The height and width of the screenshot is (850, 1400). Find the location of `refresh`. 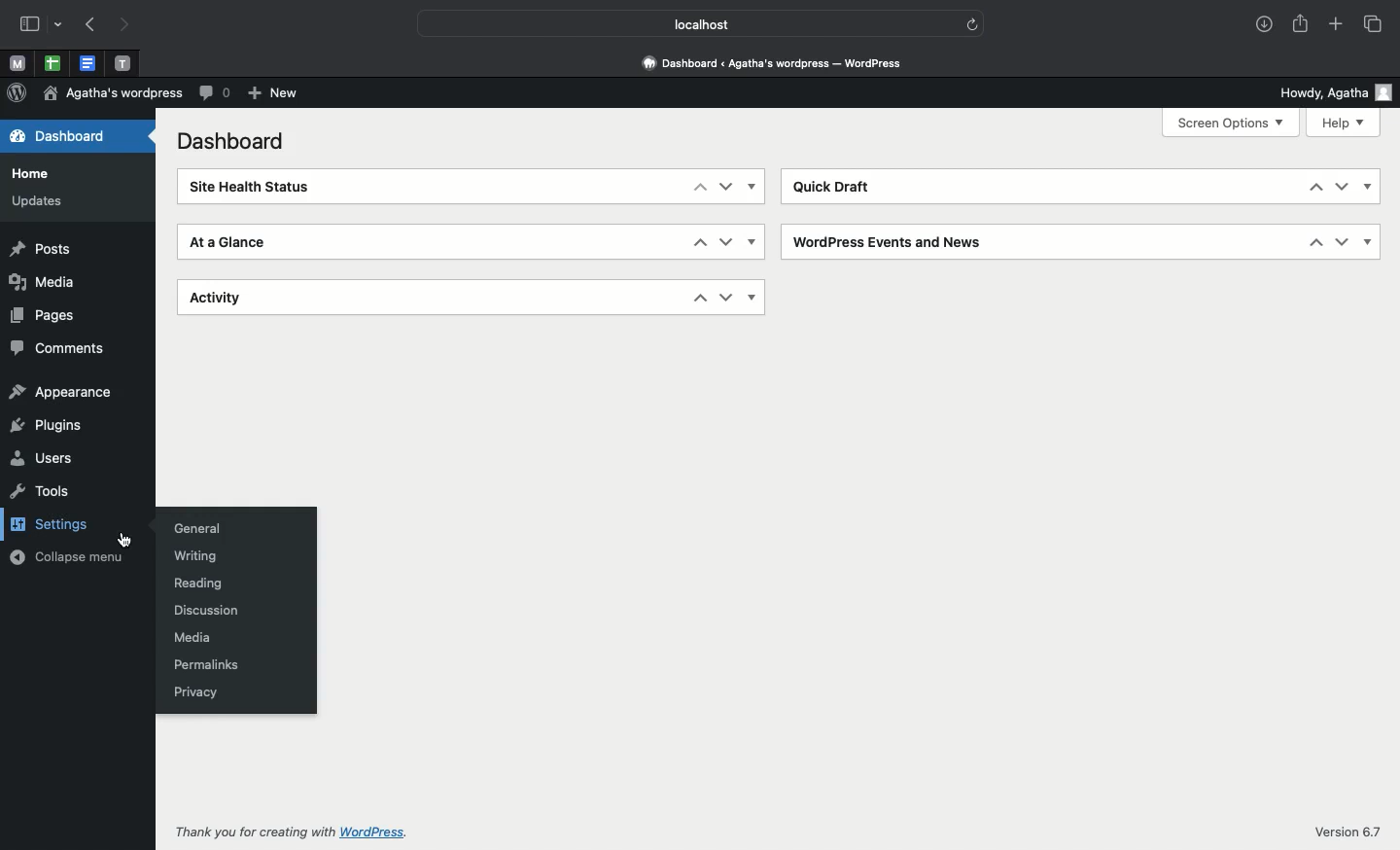

refresh is located at coordinates (971, 25).